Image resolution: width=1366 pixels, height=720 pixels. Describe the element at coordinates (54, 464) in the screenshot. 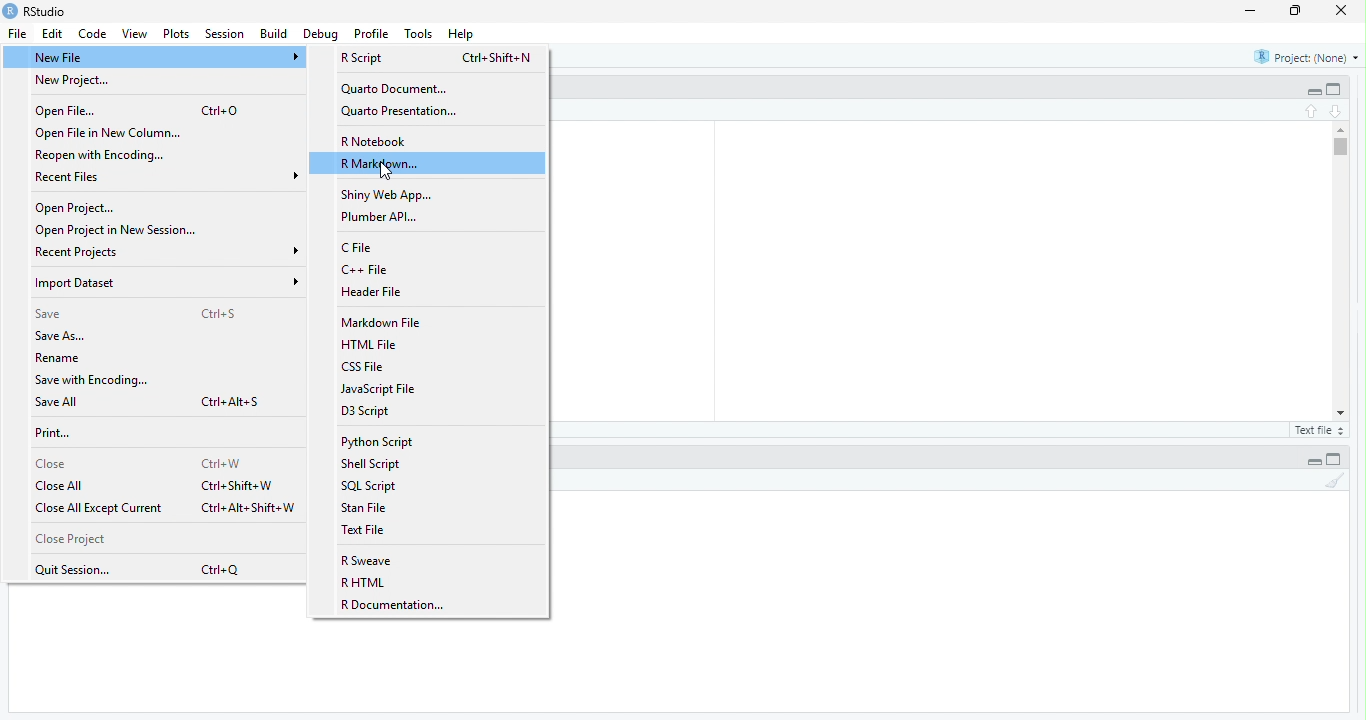

I see `Close` at that location.